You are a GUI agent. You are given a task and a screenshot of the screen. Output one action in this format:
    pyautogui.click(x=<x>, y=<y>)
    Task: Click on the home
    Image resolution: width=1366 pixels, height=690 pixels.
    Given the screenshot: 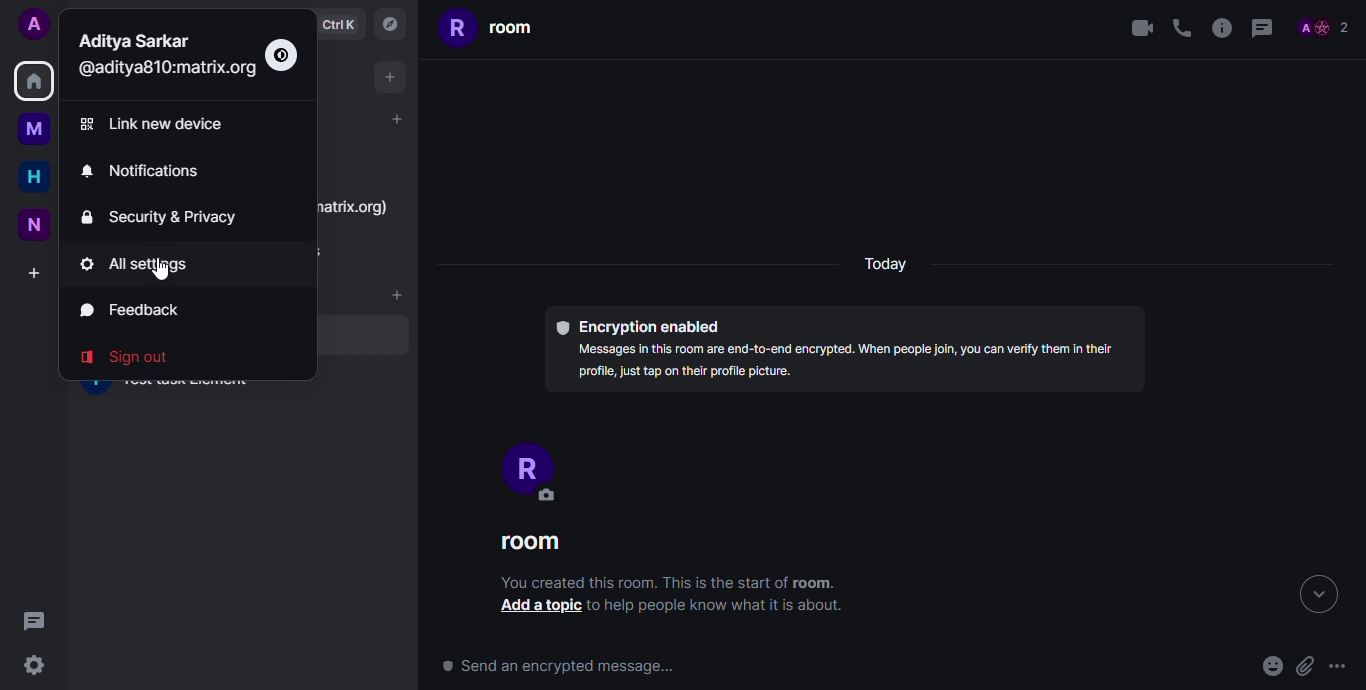 What is the action you would take?
    pyautogui.click(x=35, y=175)
    